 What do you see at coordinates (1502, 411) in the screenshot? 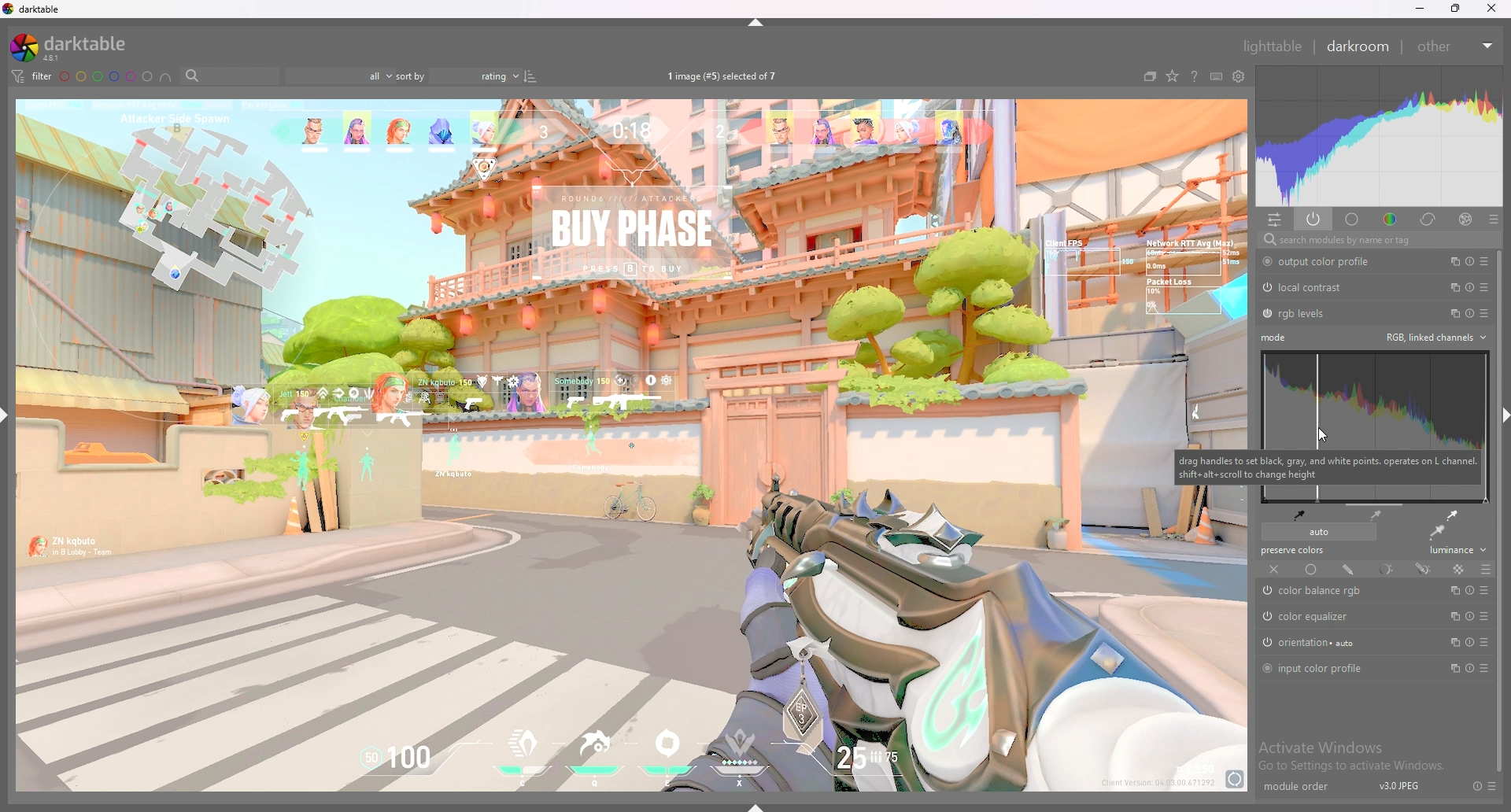
I see `hide` at bounding box center [1502, 411].